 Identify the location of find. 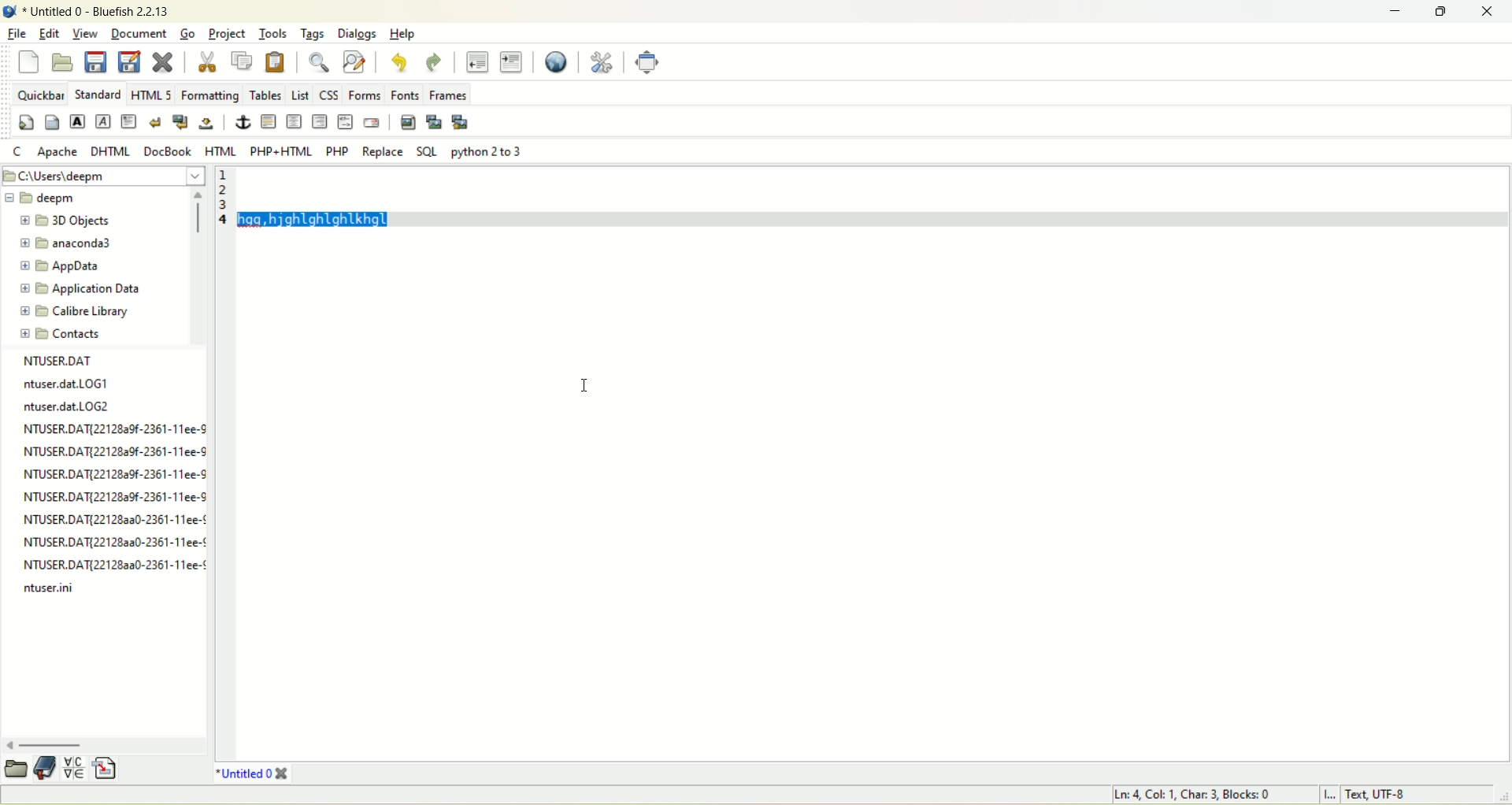
(320, 61).